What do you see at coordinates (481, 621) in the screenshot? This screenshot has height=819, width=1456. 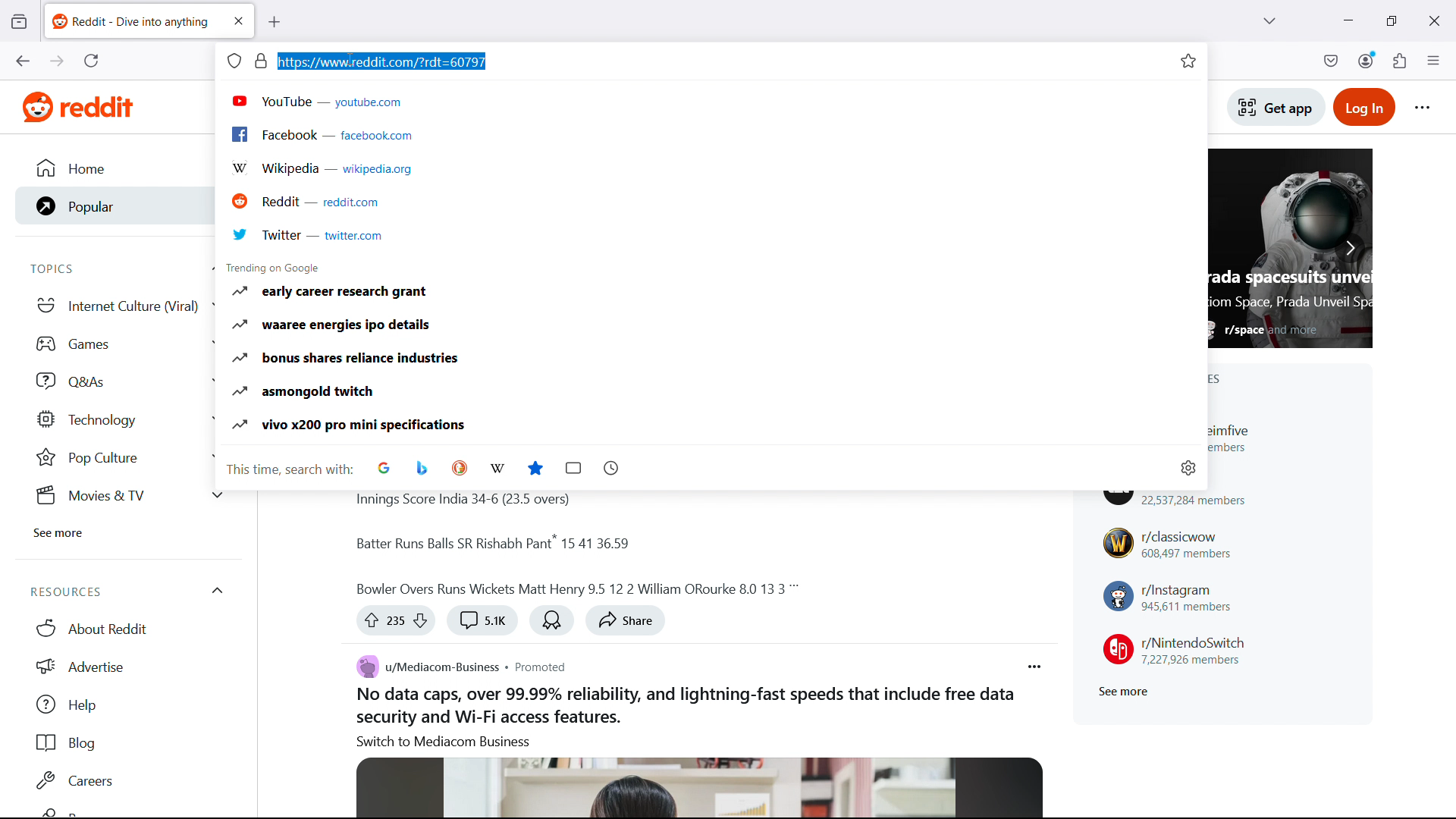 I see `Comment` at bounding box center [481, 621].